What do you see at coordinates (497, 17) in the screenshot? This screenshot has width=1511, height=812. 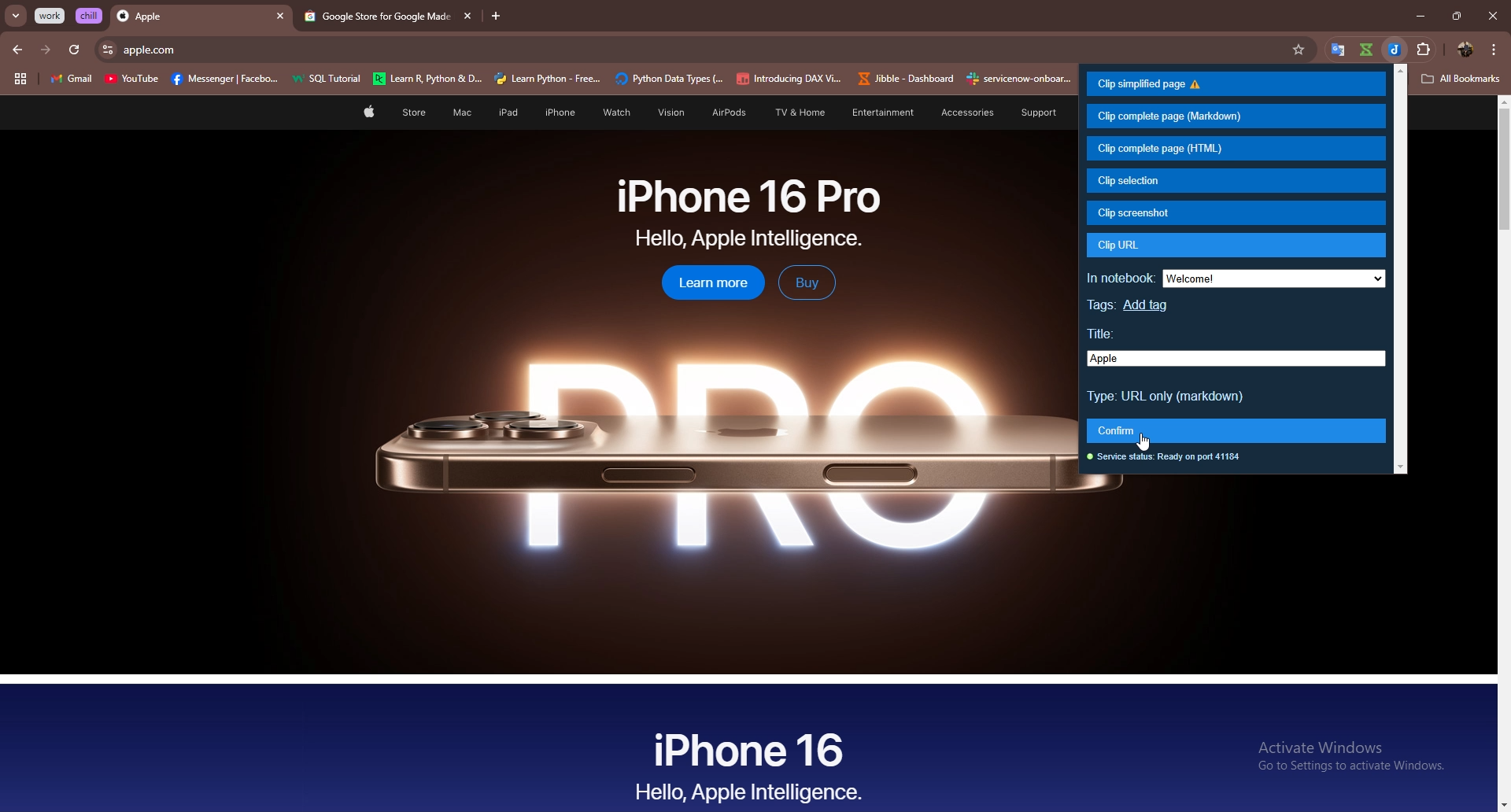 I see `add tab` at bounding box center [497, 17].